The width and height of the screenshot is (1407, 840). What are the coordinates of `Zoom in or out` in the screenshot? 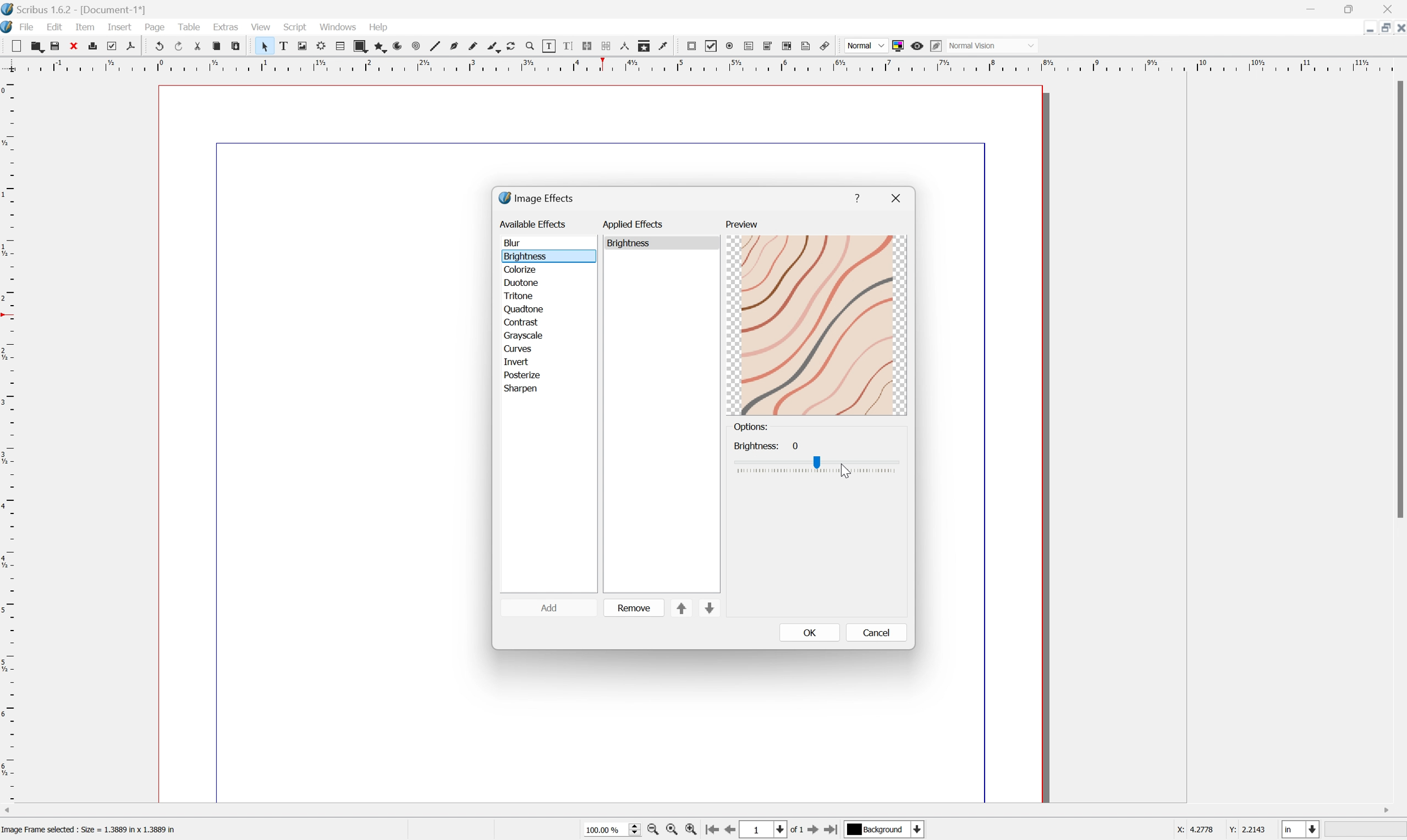 It's located at (533, 46).